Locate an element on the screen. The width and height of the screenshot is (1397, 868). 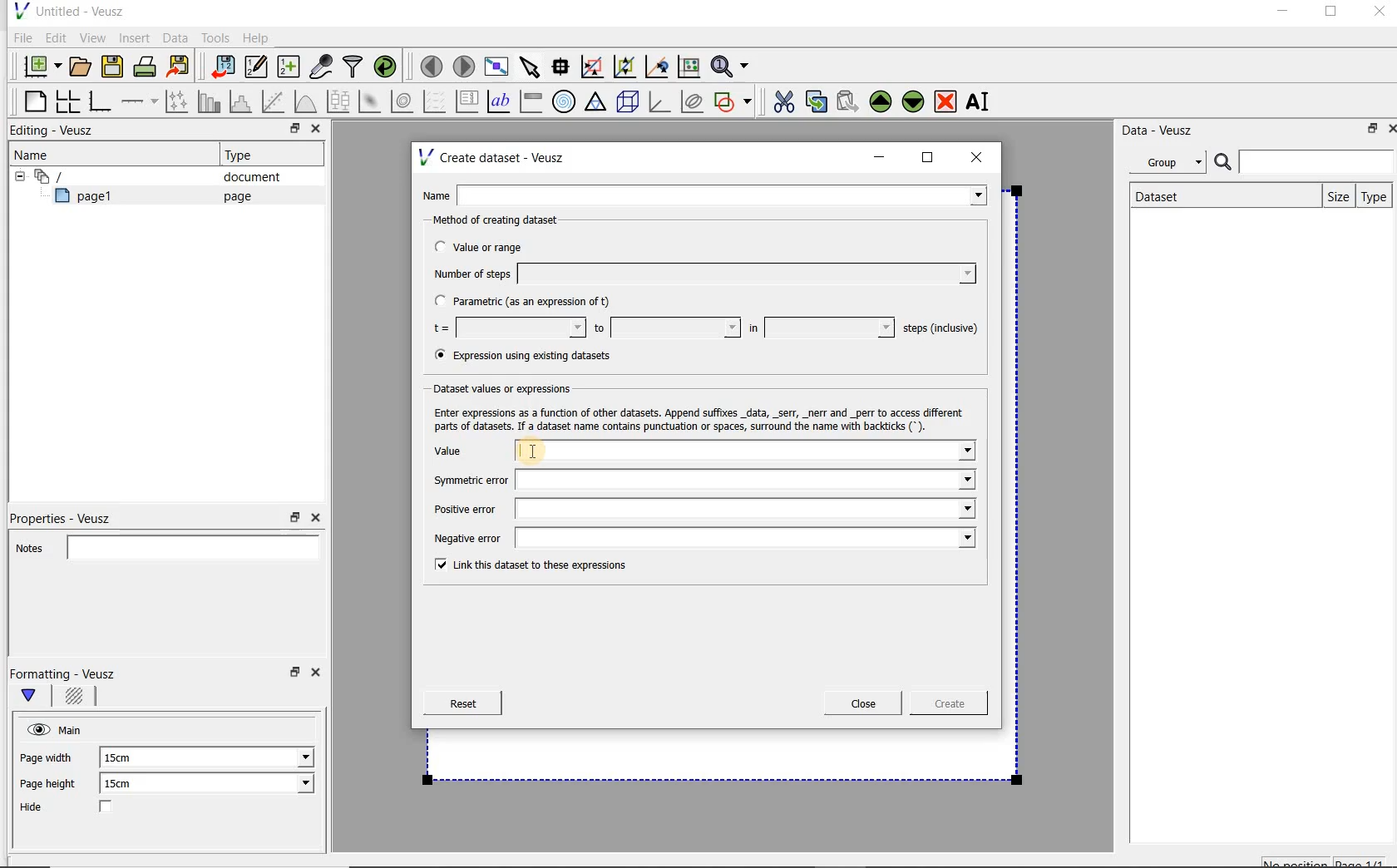
restore down is located at coordinates (295, 518).